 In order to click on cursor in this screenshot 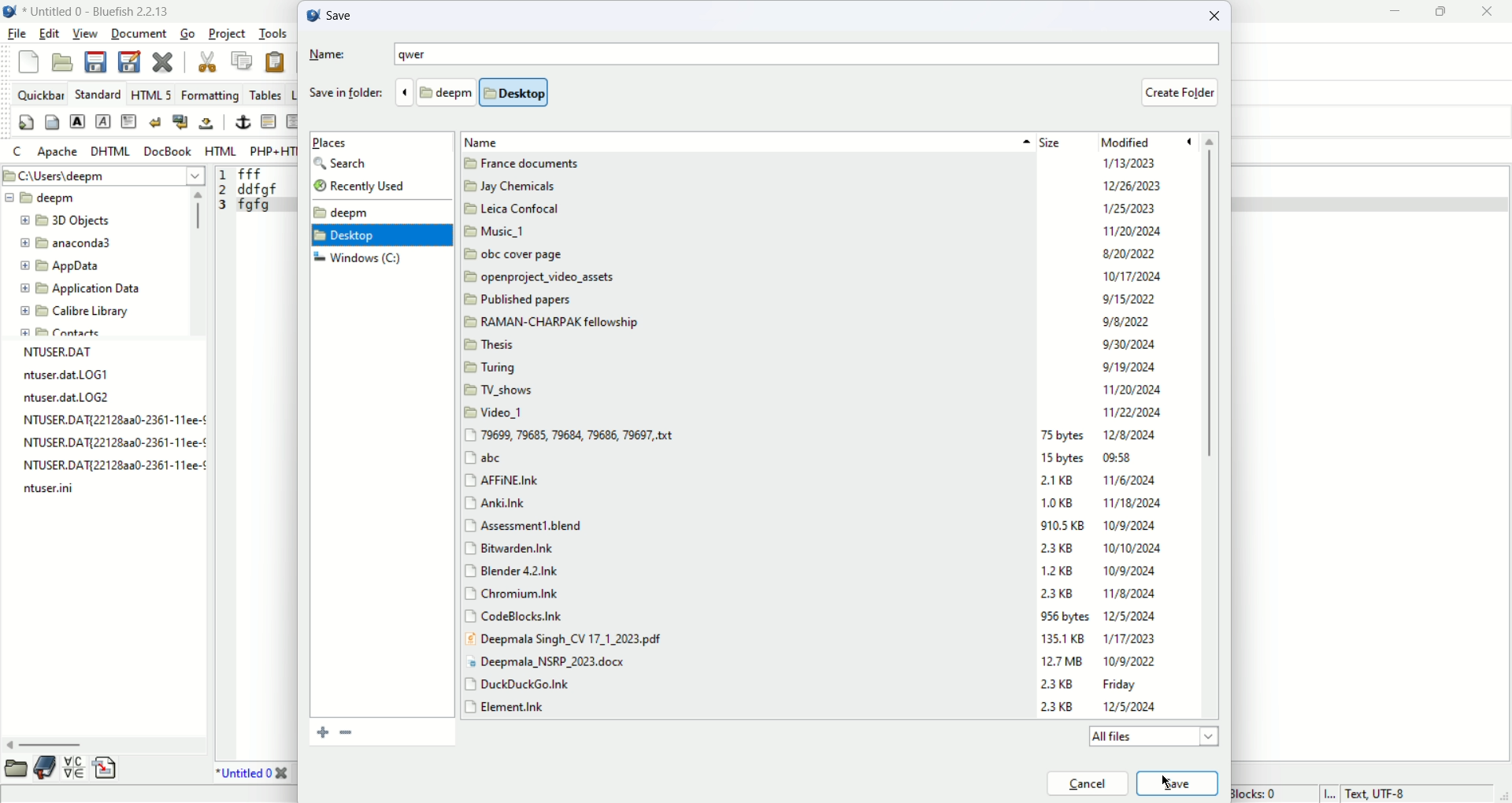, I will do `click(1165, 782)`.